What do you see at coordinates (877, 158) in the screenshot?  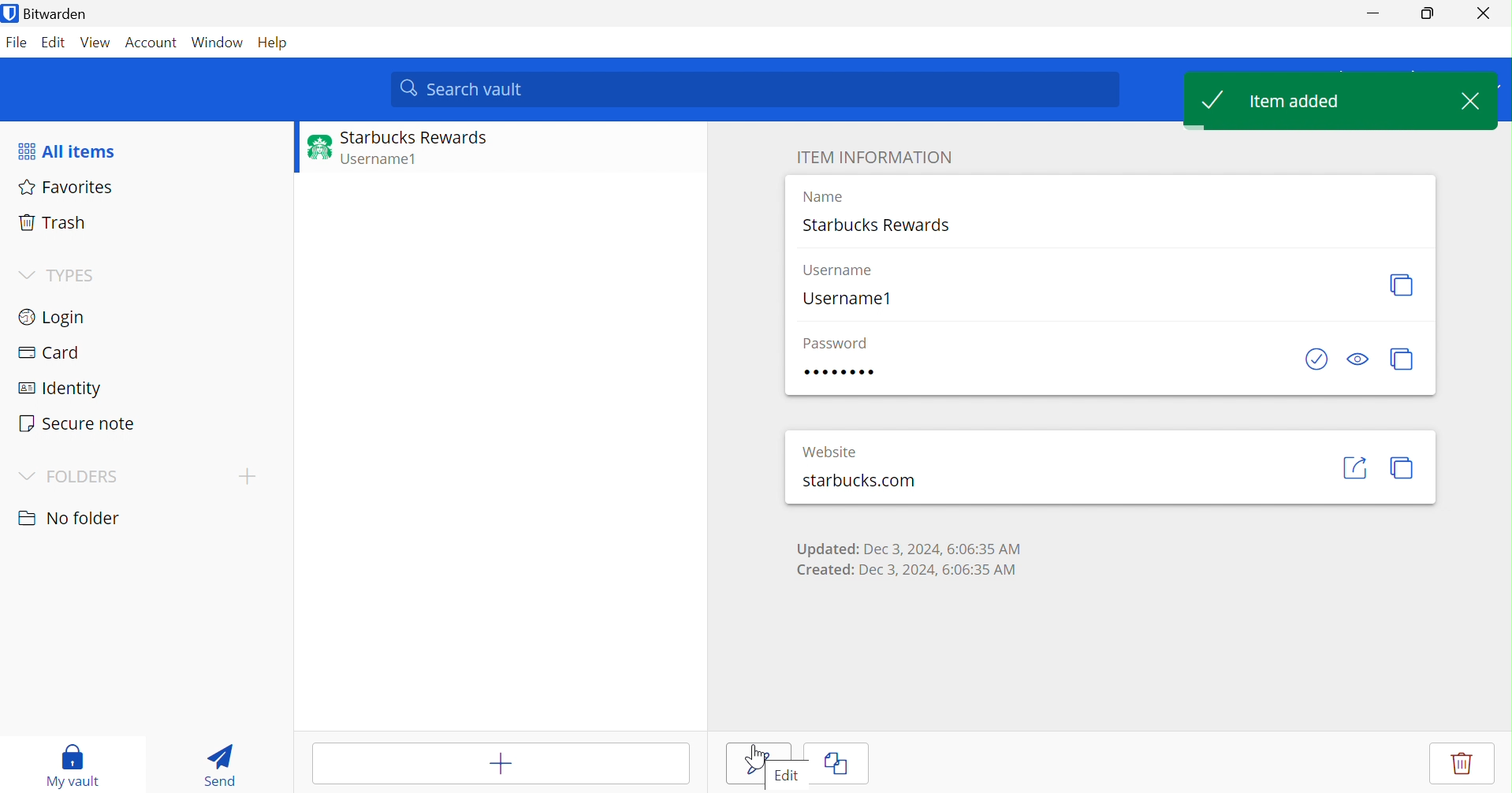 I see `ITEM INFORMATION` at bounding box center [877, 158].